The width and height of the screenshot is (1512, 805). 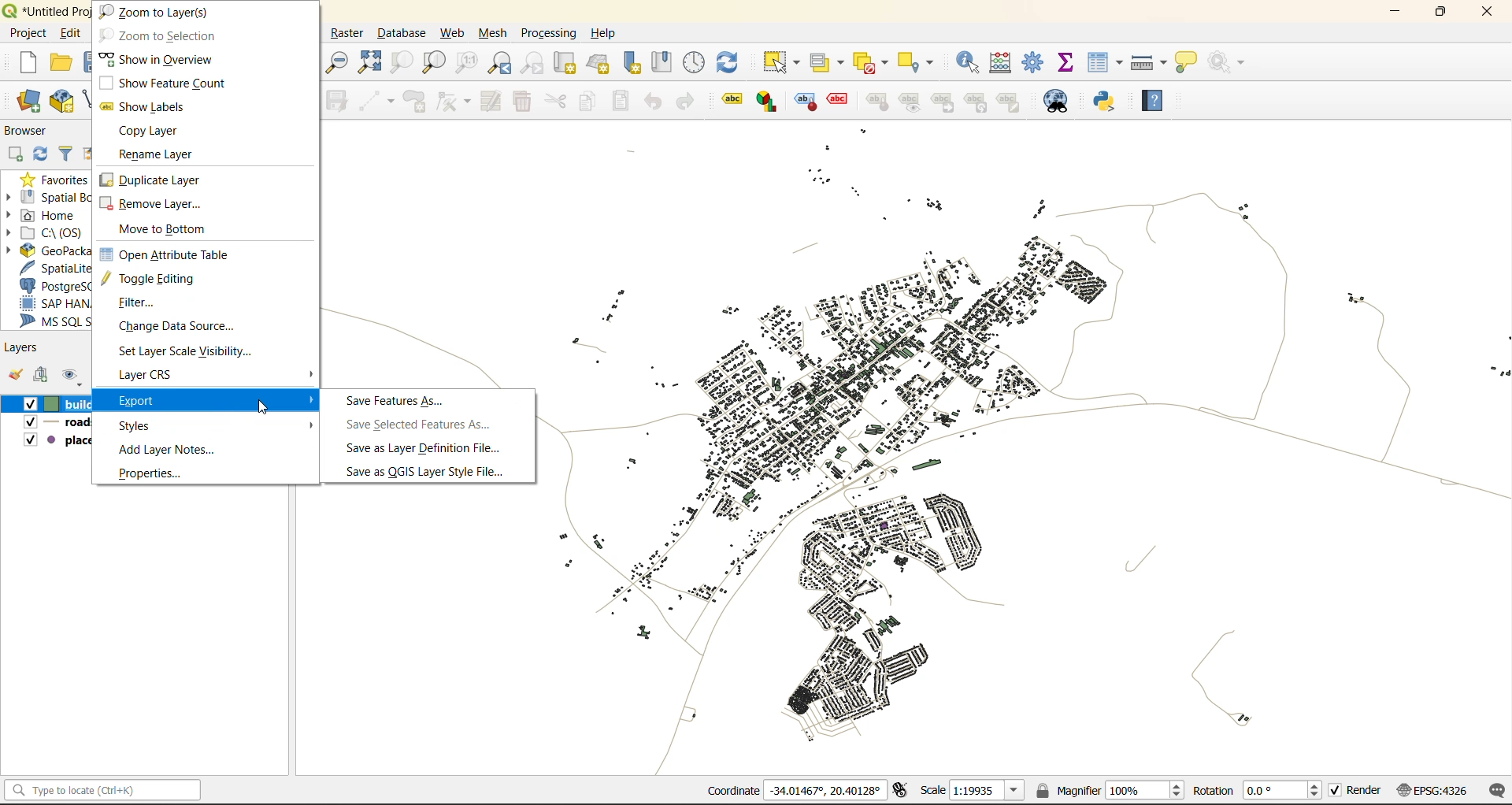 I want to click on zoom out, so click(x=339, y=63).